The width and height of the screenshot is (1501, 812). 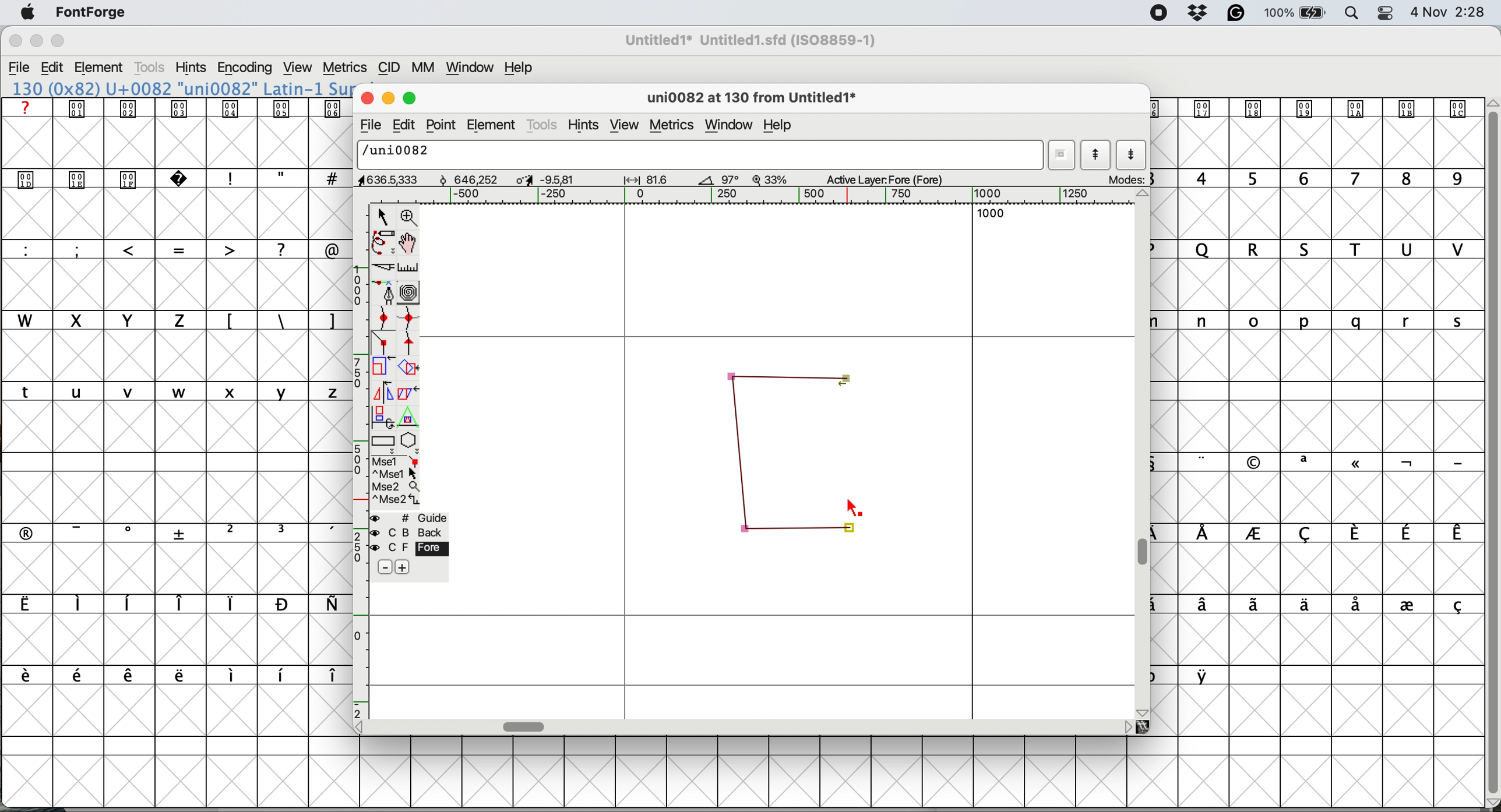 What do you see at coordinates (383, 369) in the screenshot?
I see `scale the selection` at bounding box center [383, 369].